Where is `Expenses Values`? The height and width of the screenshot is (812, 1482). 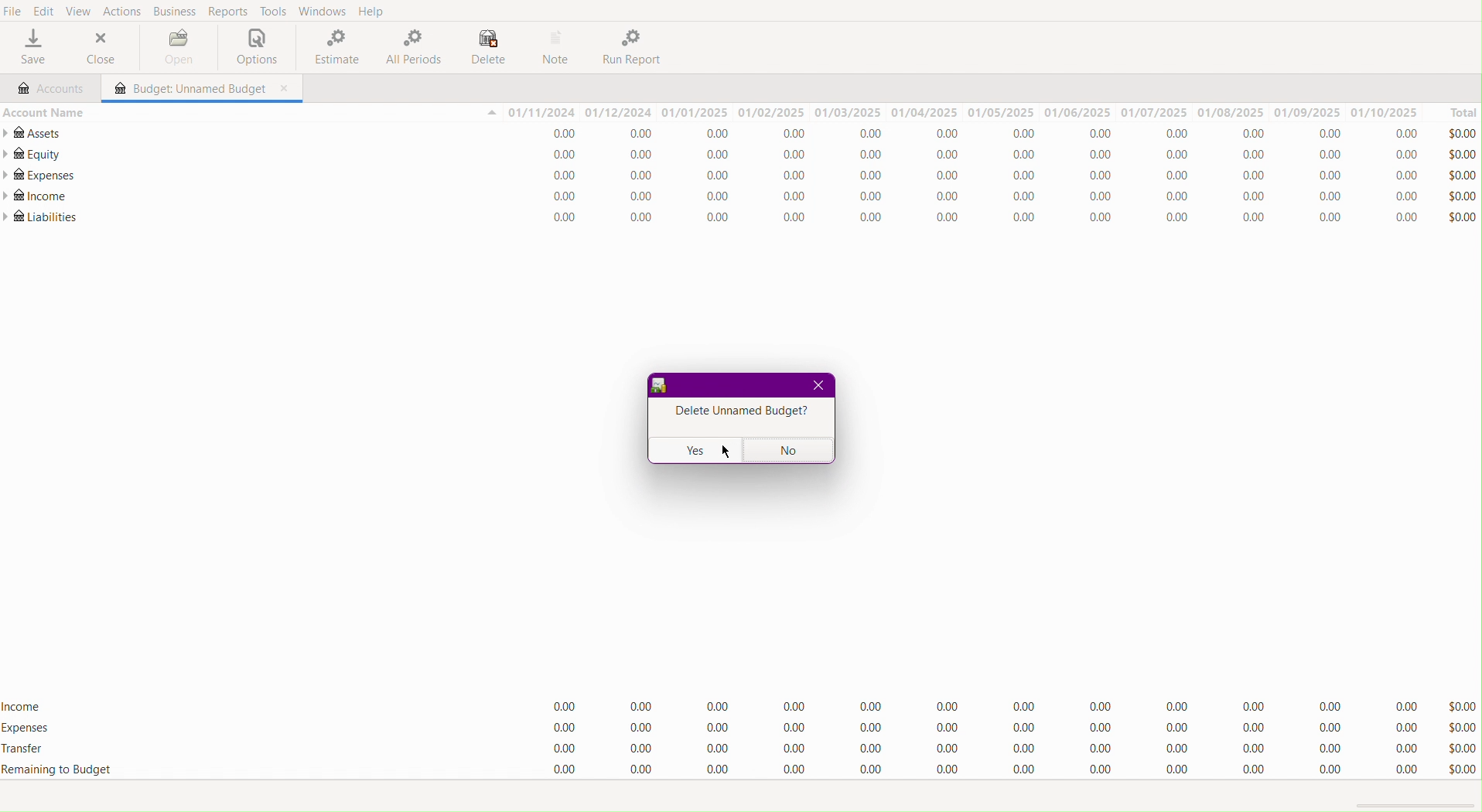
Expenses Values is located at coordinates (985, 178).